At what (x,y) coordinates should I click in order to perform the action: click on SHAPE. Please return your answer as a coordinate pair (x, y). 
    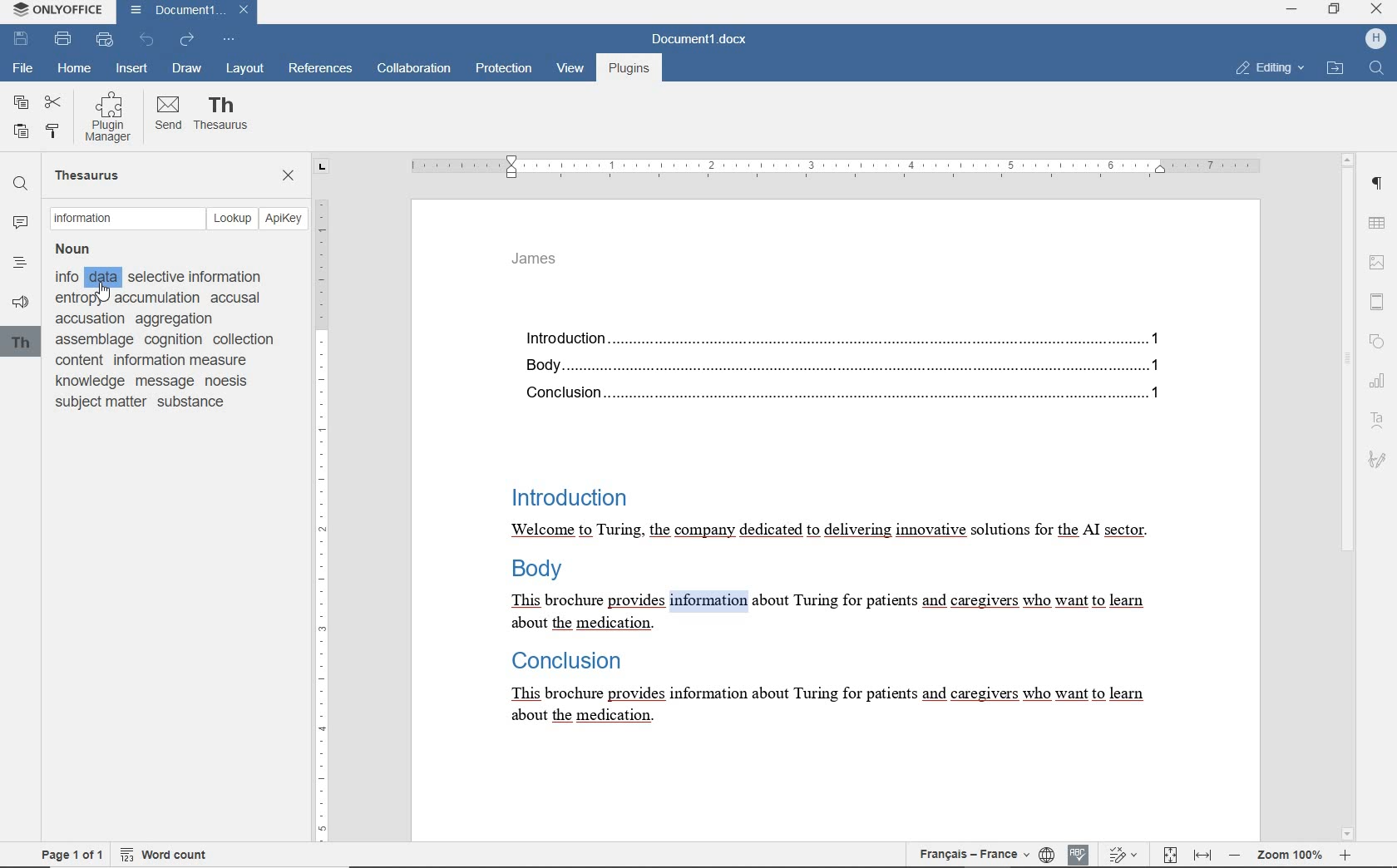
    Looking at the image, I should click on (1375, 340).